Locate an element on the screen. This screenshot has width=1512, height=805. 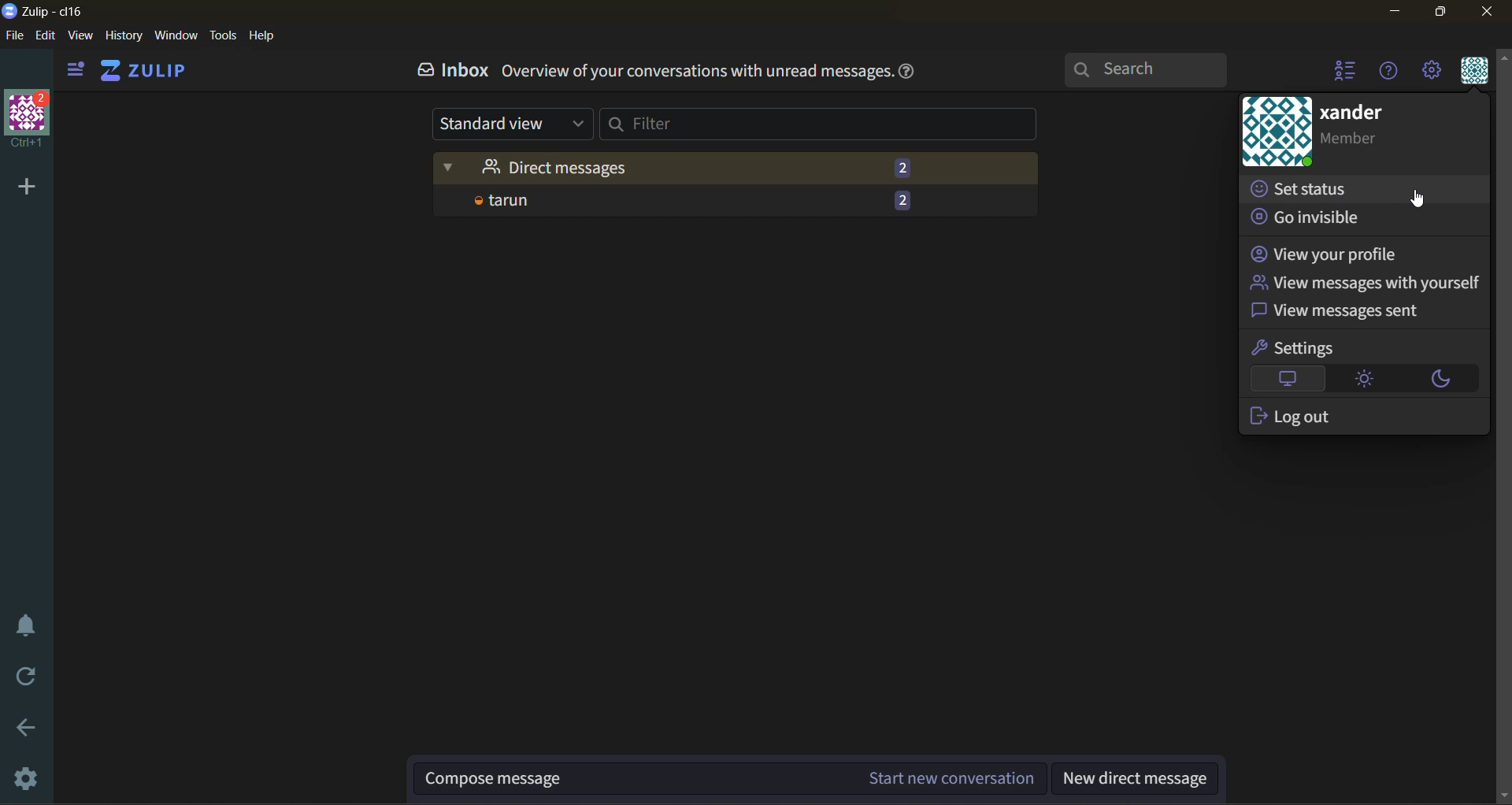
settings is located at coordinates (1294, 348).